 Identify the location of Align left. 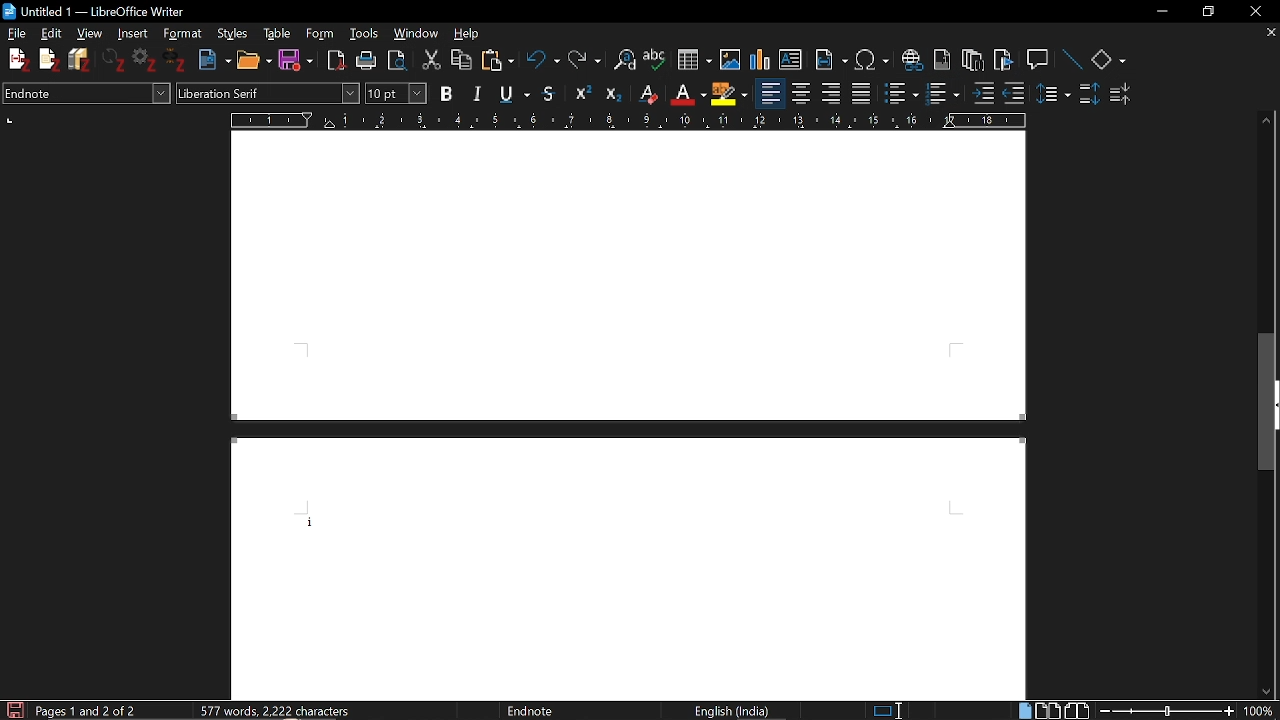
(833, 94).